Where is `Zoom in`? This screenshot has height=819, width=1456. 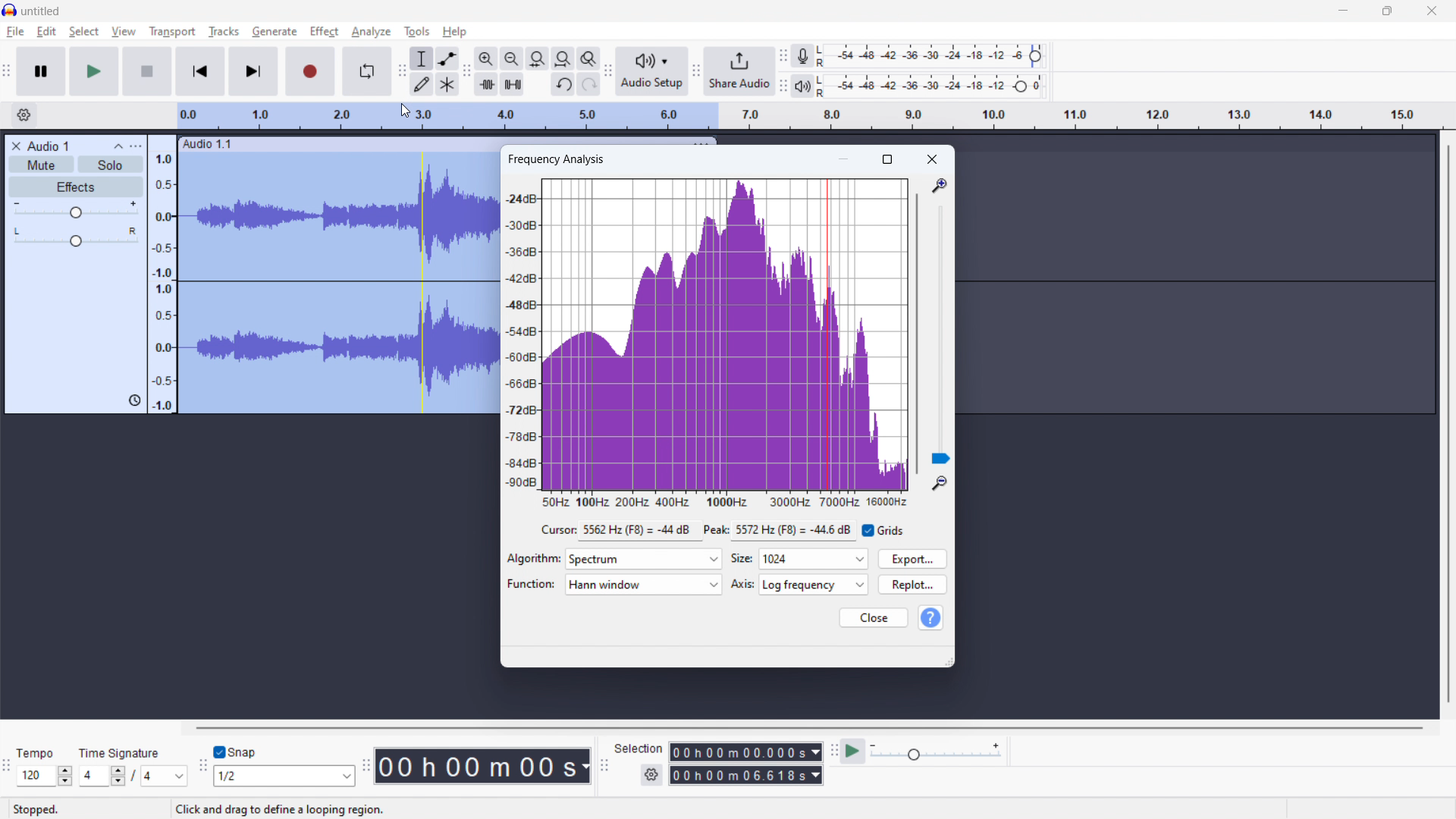 Zoom in is located at coordinates (940, 187).